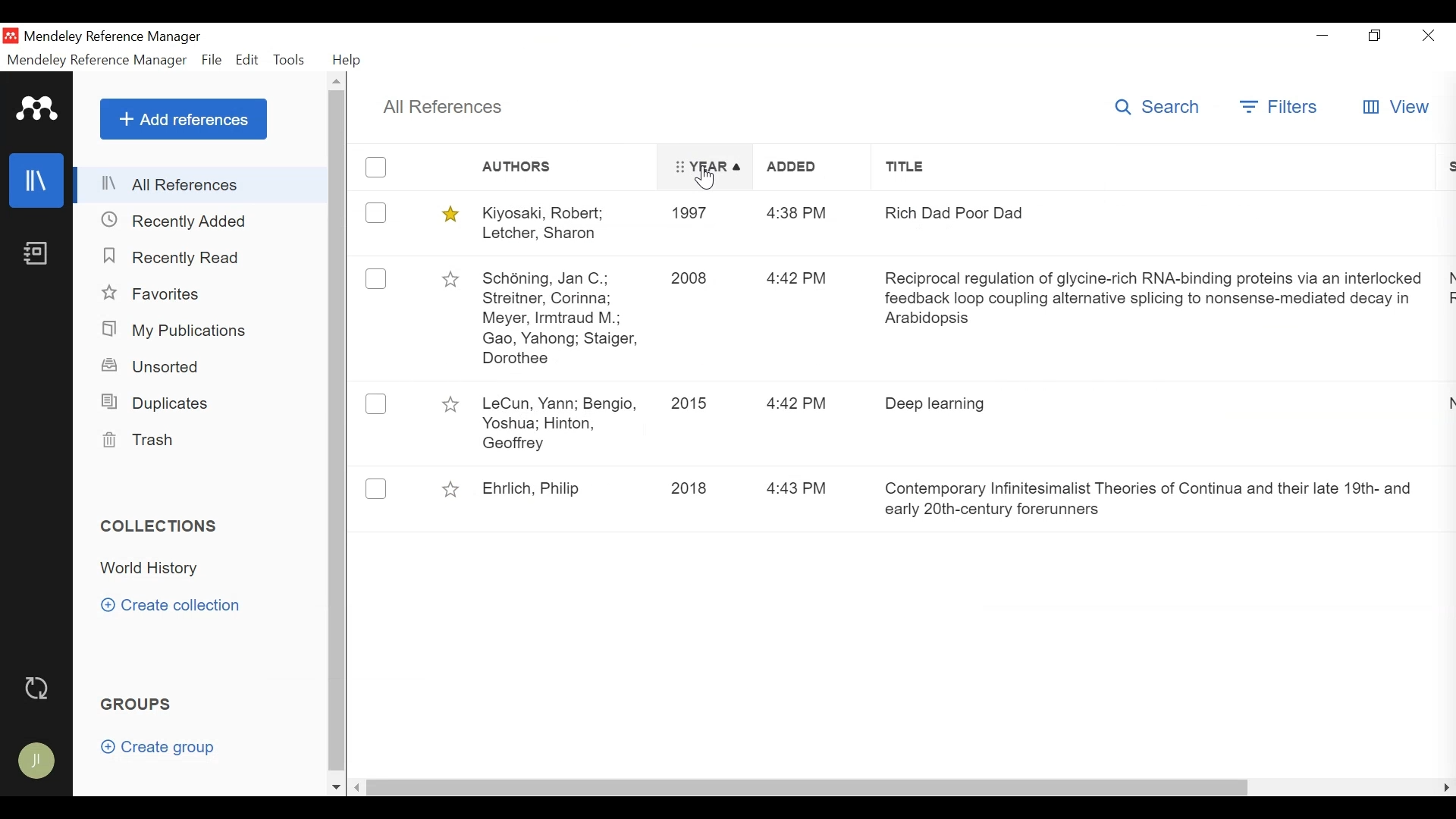 The width and height of the screenshot is (1456, 819). What do you see at coordinates (692, 403) in the screenshot?
I see `2015` at bounding box center [692, 403].